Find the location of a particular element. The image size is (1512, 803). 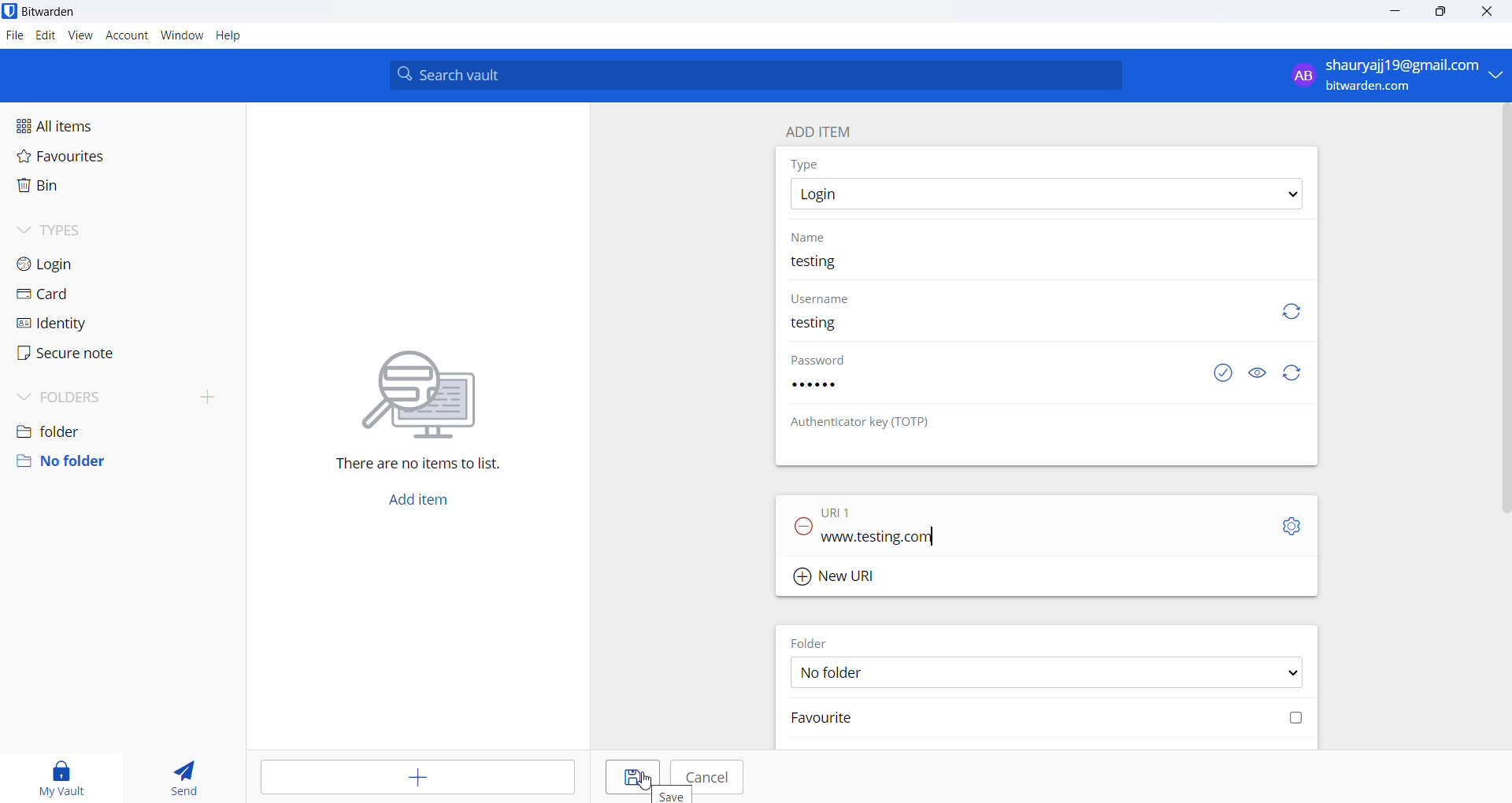

type options is located at coordinates (1045, 194).